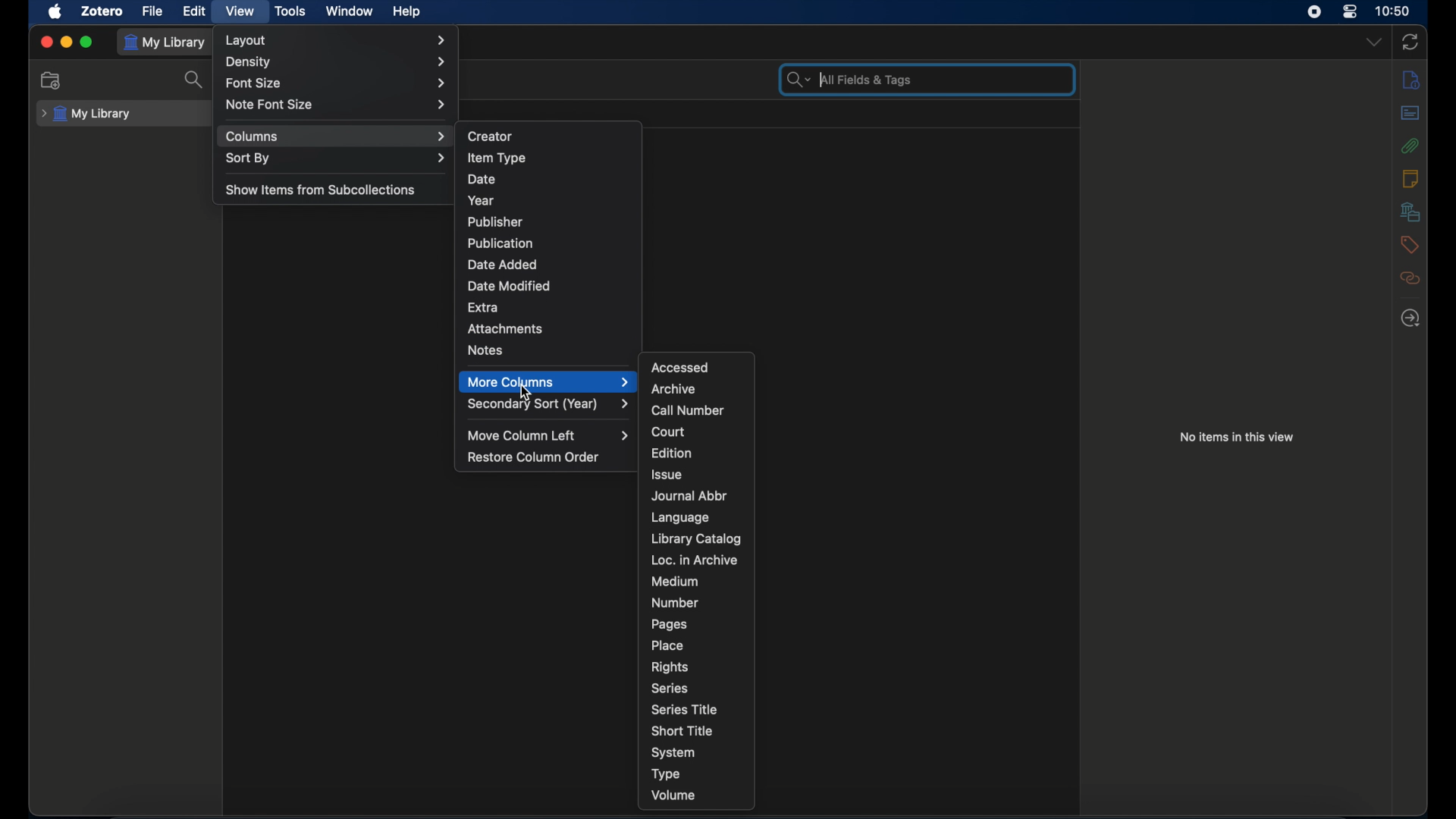 Image resolution: width=1456 pixels, height=819 pixels. I want to click on short title, so click(681, 731).